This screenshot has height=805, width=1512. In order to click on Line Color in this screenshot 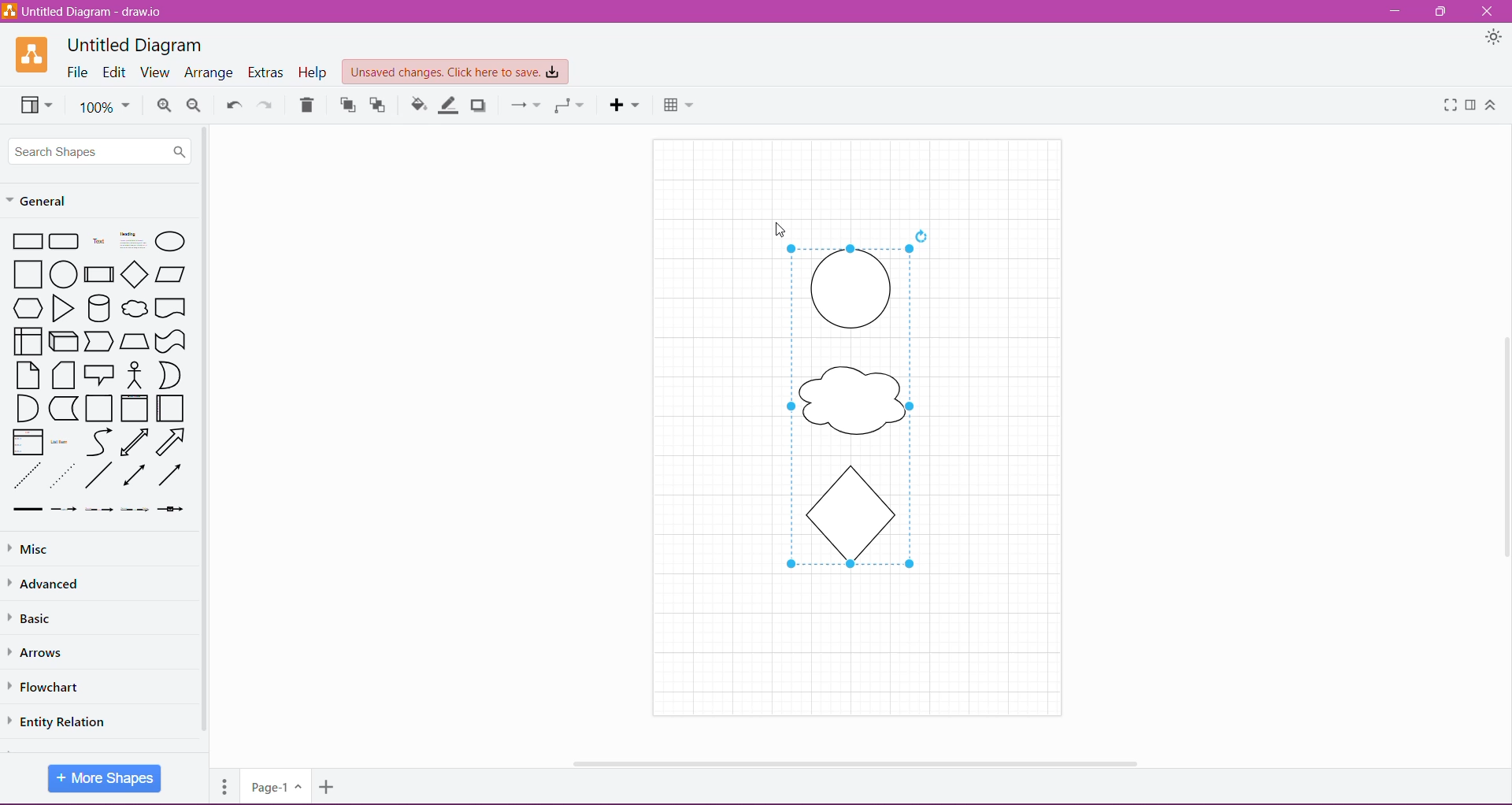, I will do `click(450, 105)`.